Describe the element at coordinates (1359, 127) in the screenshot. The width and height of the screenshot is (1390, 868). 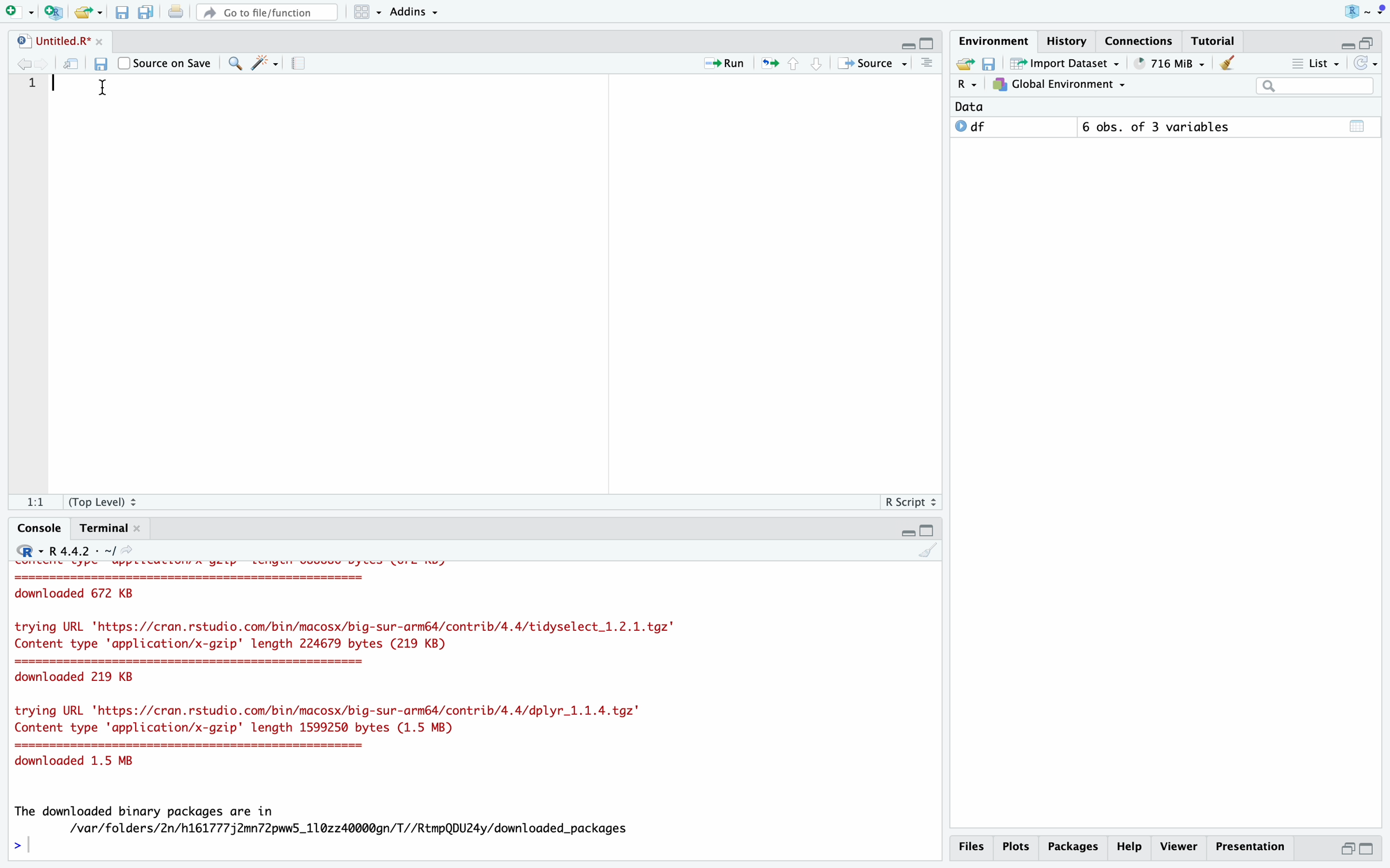
I see `Calender` at that location.